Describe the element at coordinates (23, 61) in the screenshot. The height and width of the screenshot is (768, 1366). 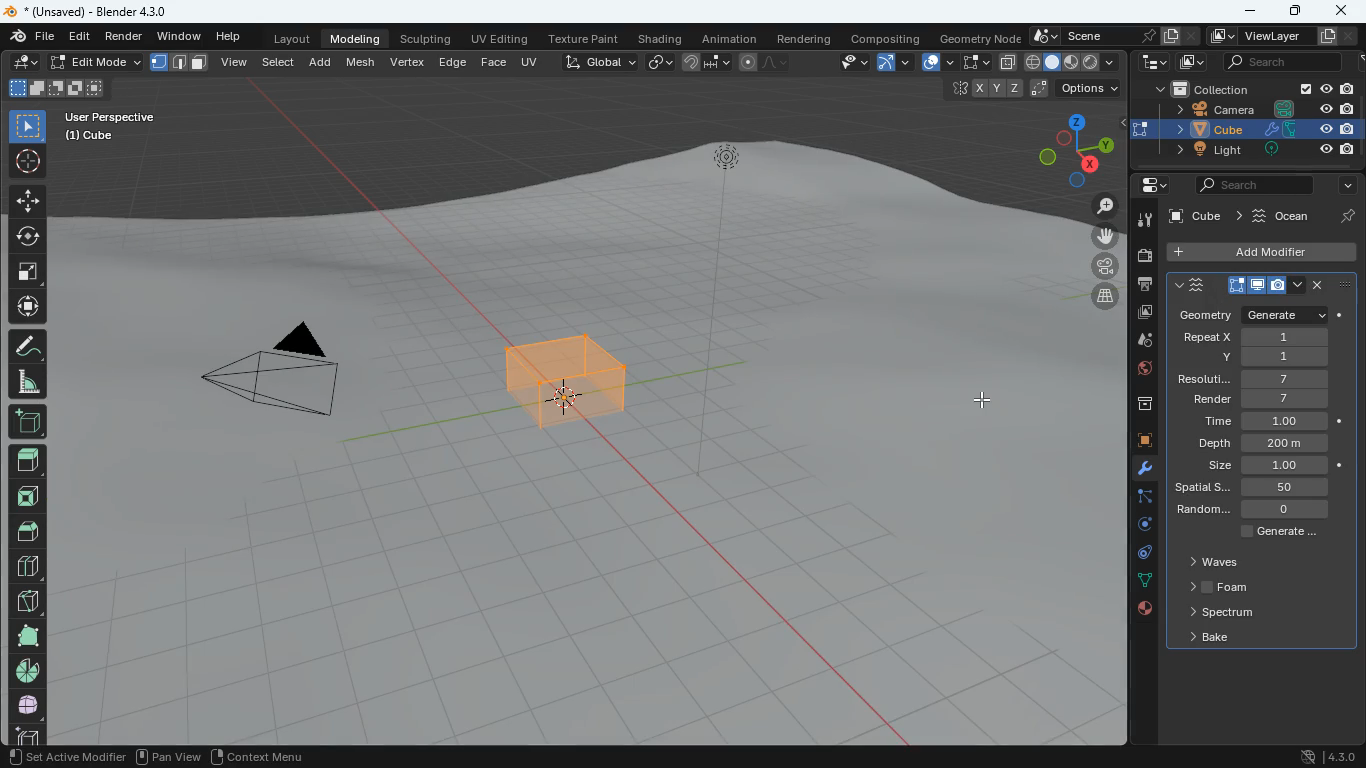
I see `edit` at that location.